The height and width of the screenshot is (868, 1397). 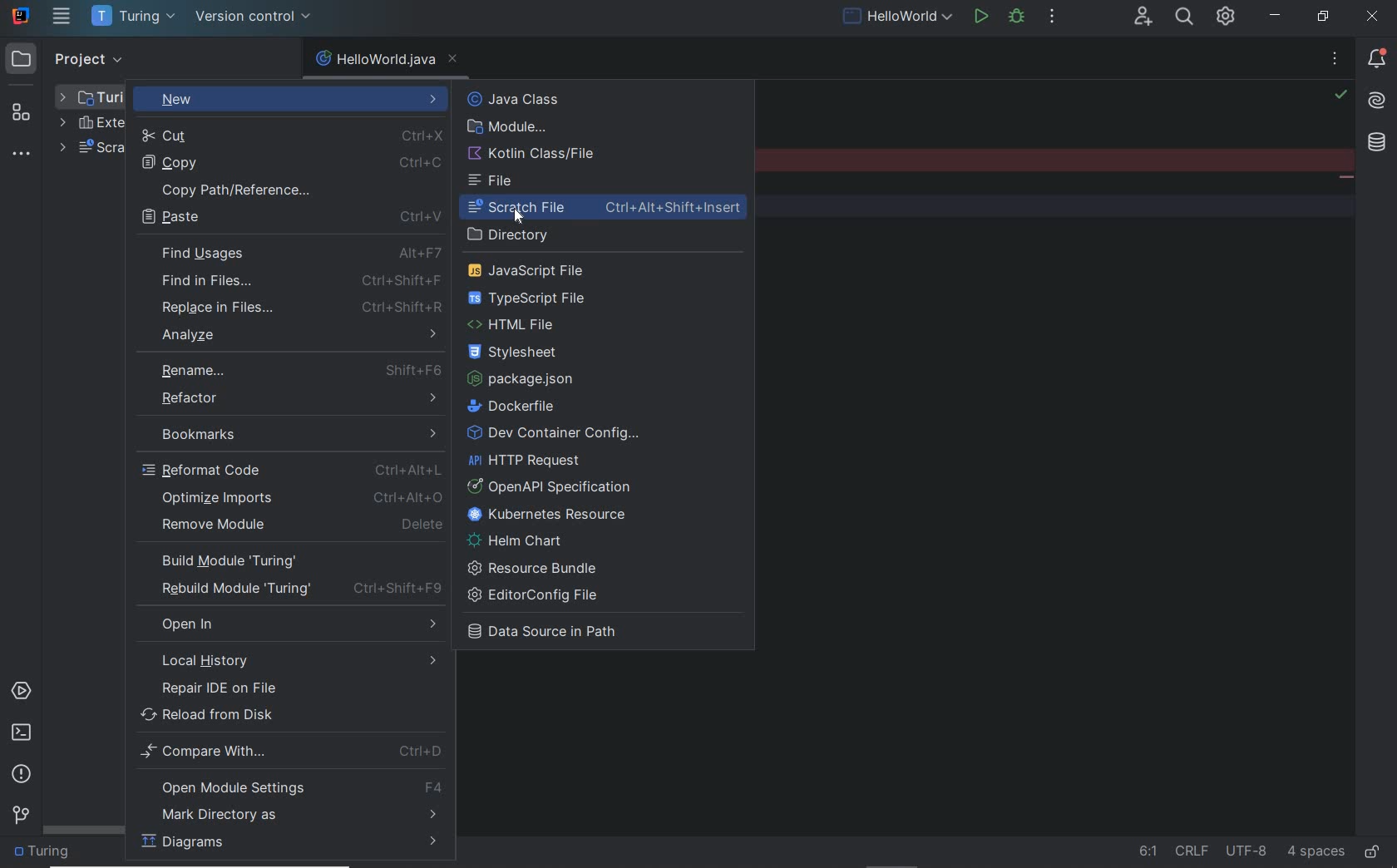 I want to click on code with me, so click(x=1143, y=17).